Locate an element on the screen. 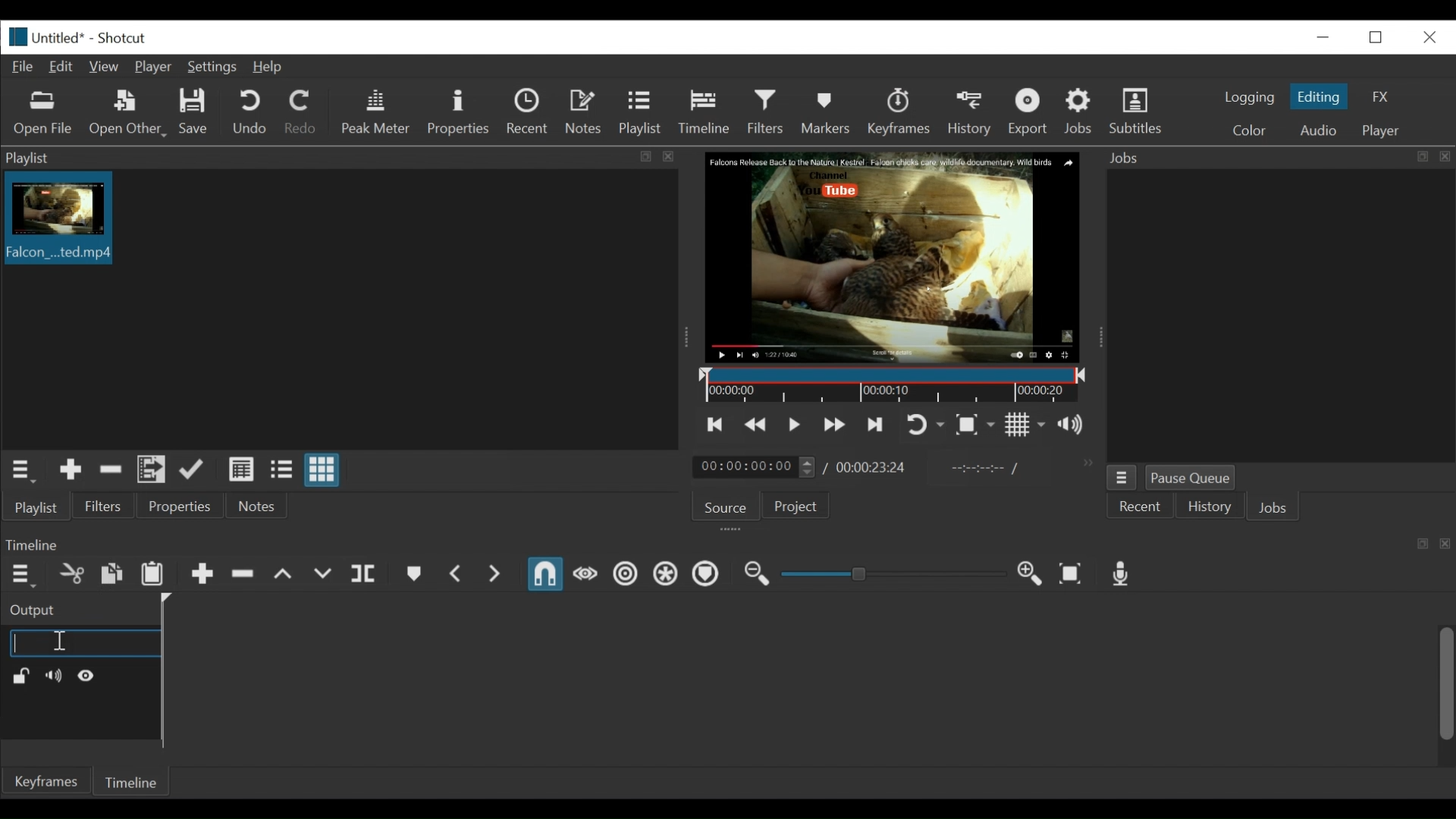  Skip to the next point is located at coordinates (836, 424).